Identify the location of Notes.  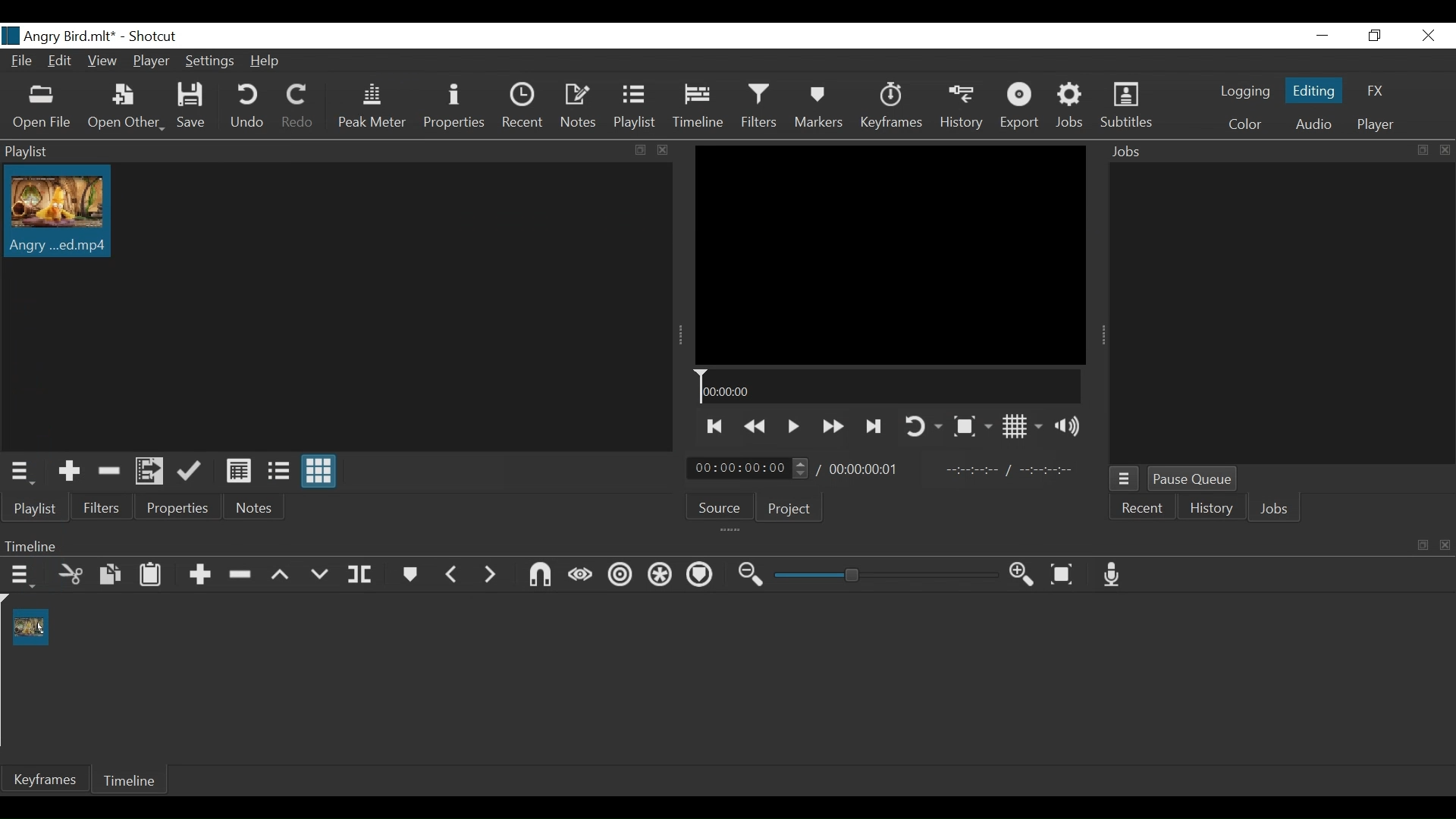
(256, 505).